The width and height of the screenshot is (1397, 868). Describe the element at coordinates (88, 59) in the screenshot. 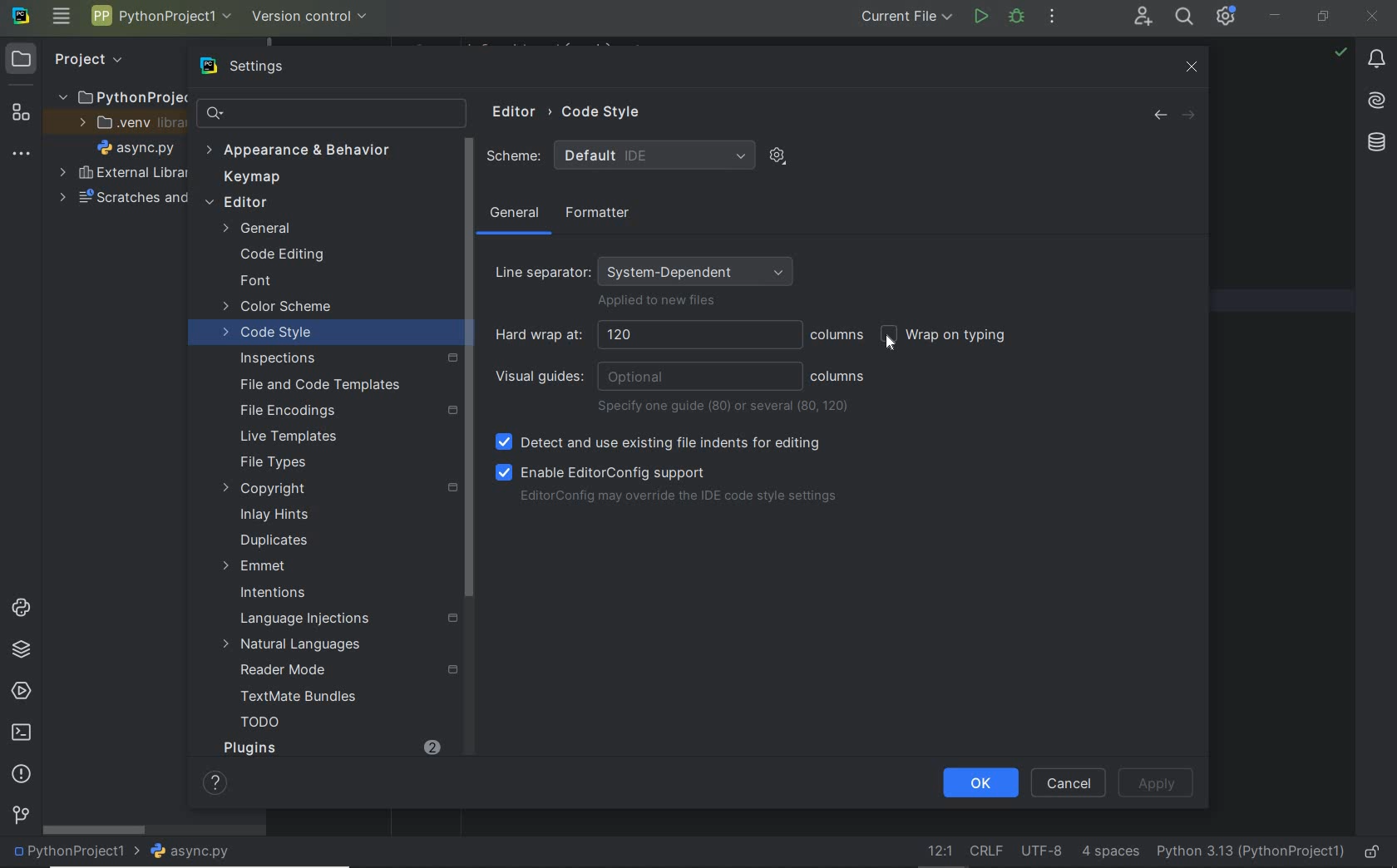

I see `Project` at that location.